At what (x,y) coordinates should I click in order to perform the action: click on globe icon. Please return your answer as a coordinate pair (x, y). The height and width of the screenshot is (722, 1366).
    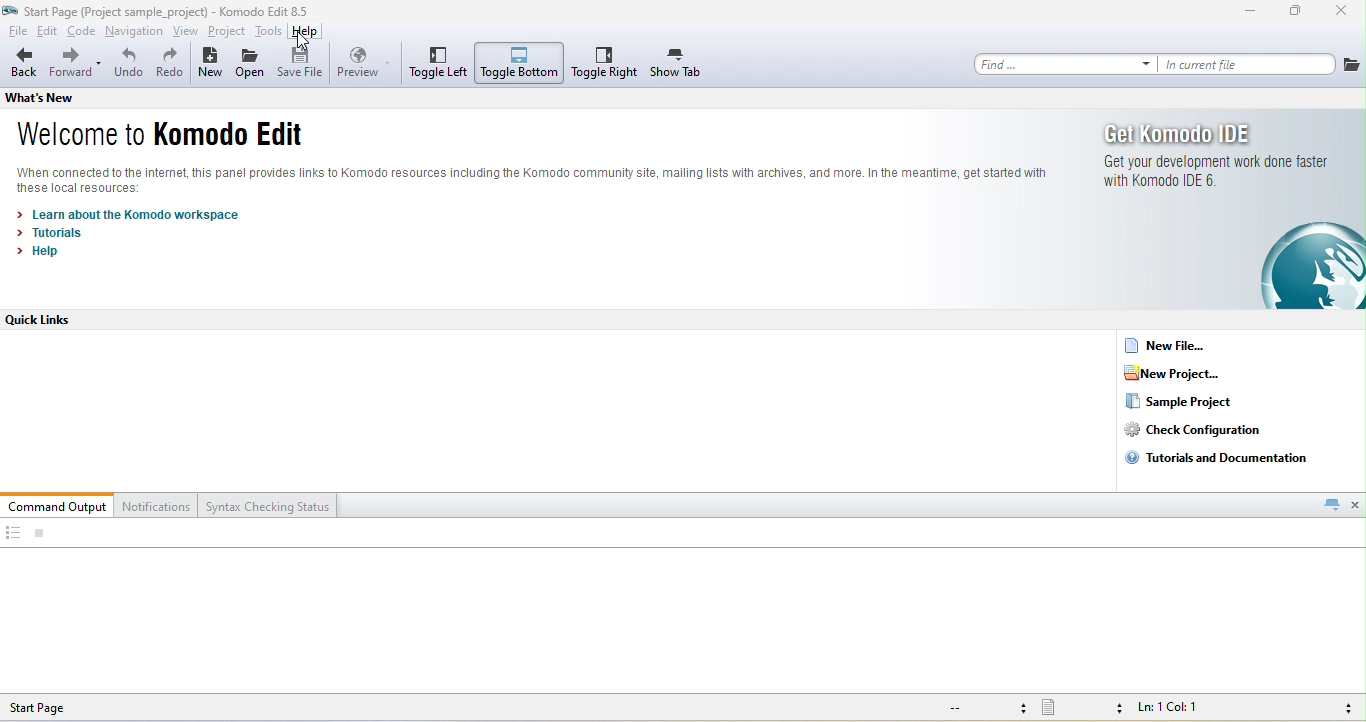
    Looking at the image, I should click on (1298, 266).